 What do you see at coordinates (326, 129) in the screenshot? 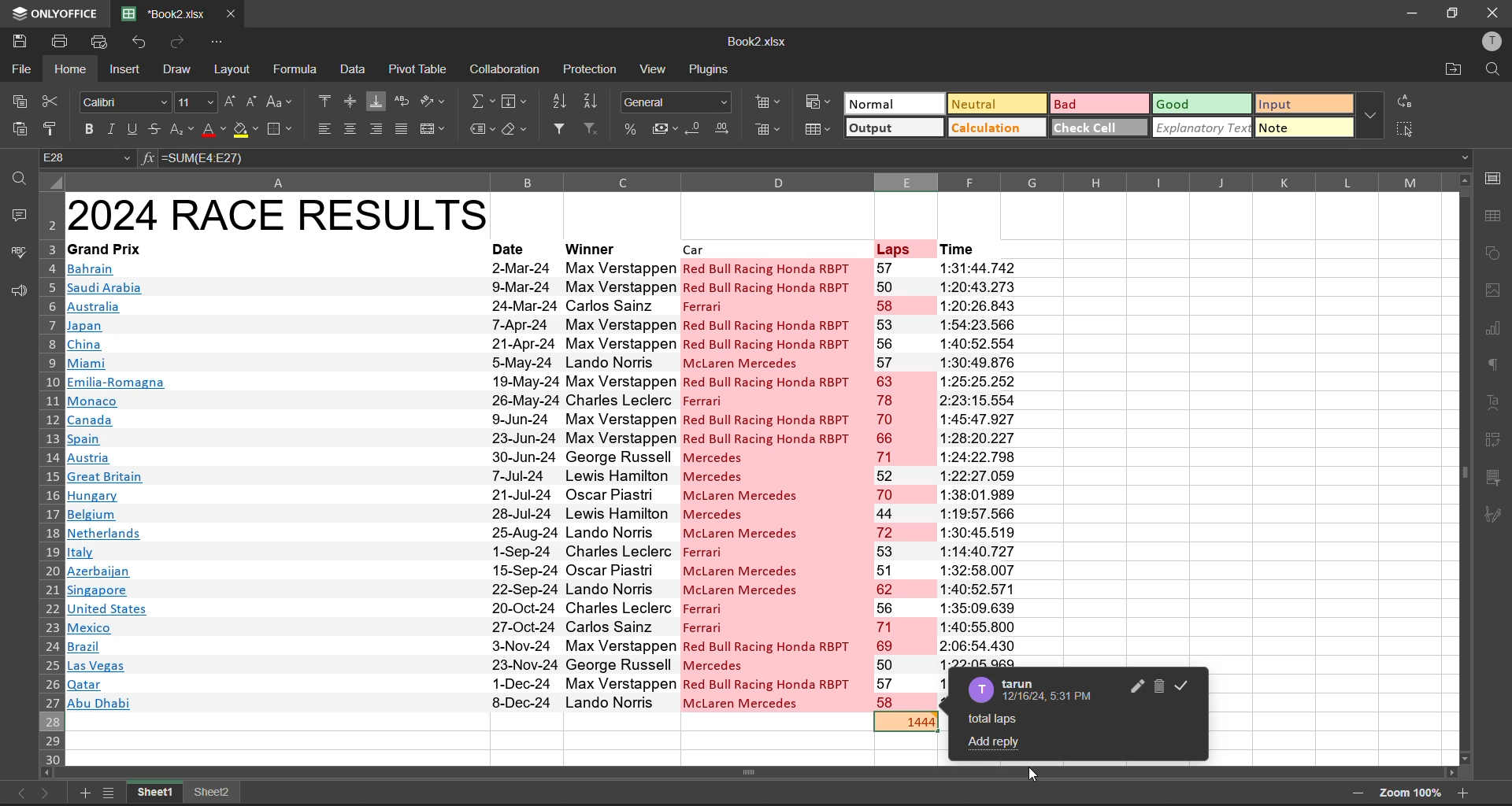
I see `align left` at bounding box center [326, 129].